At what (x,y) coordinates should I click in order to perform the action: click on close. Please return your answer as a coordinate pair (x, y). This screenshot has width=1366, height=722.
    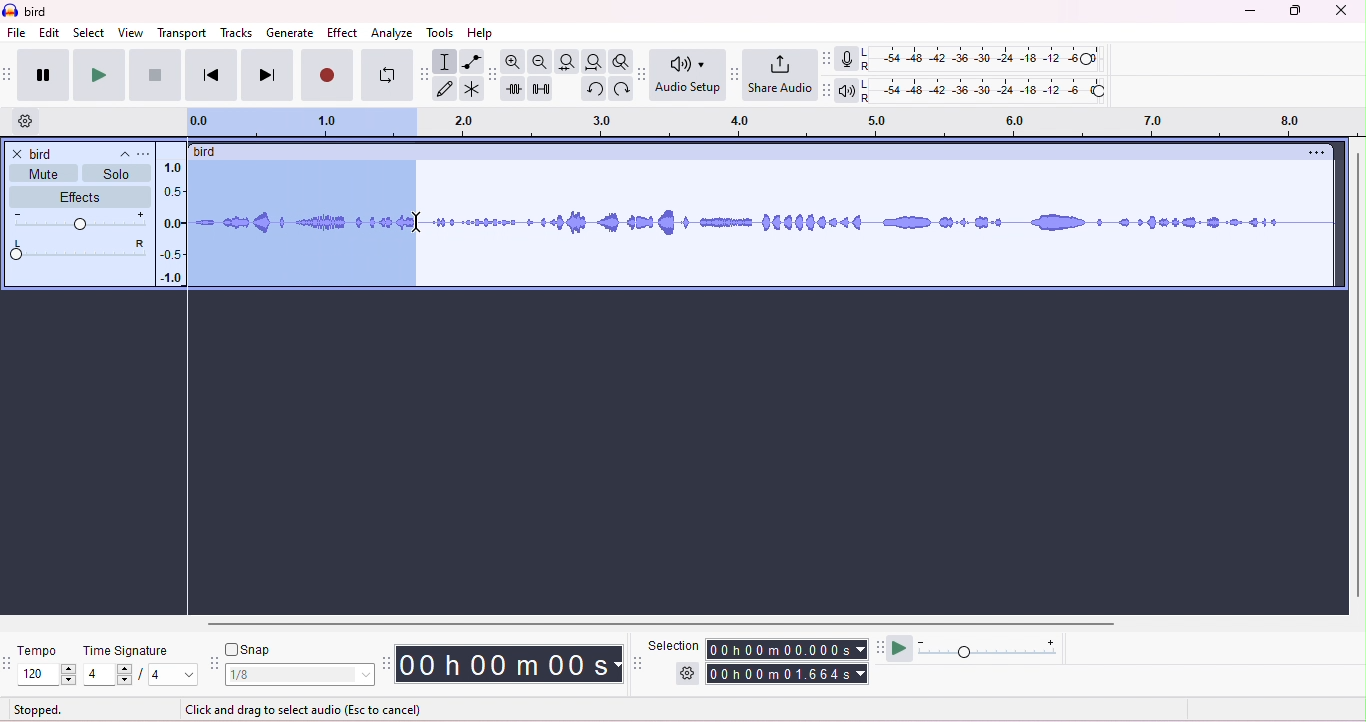
    Looking at the image, I should click on (1340, 10).